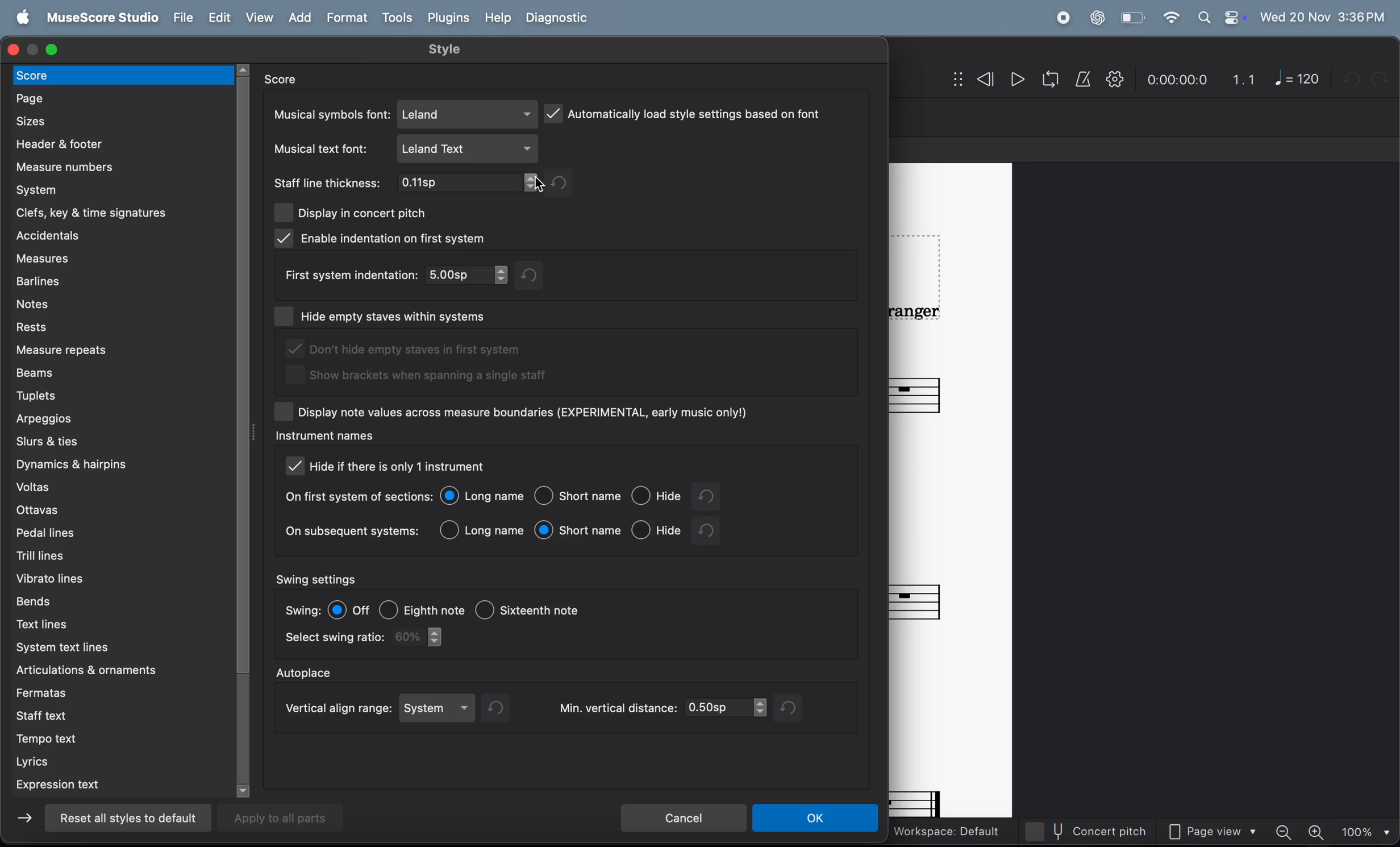 The width and height of the screenshot is (1400, 847). What do you see at coordinates (423, 607) in the screenshot?
I see `eightnote` at bounding box center [423, 607].